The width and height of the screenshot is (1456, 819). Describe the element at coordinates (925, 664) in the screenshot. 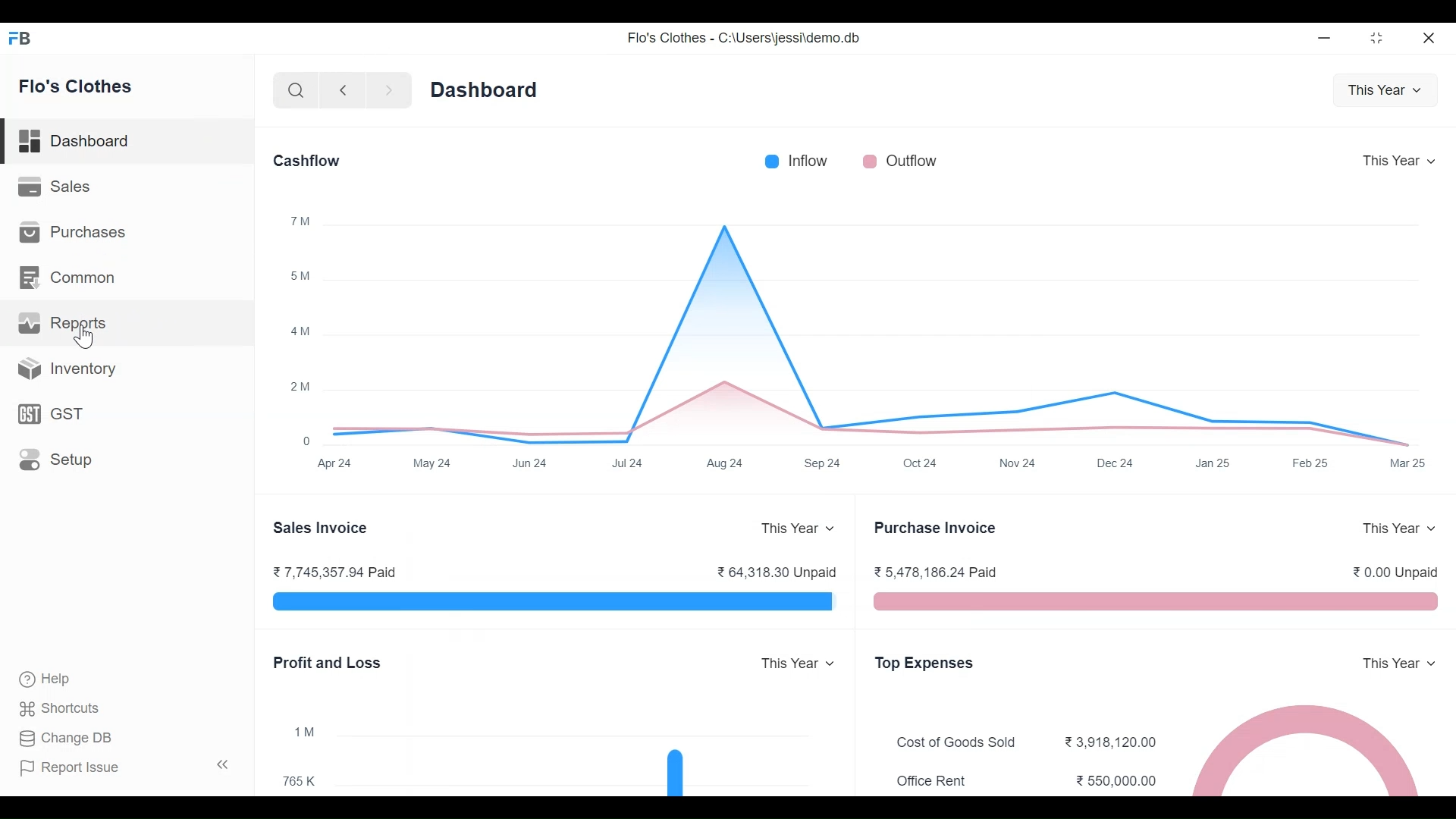

I see `Top Expenses` at that location.